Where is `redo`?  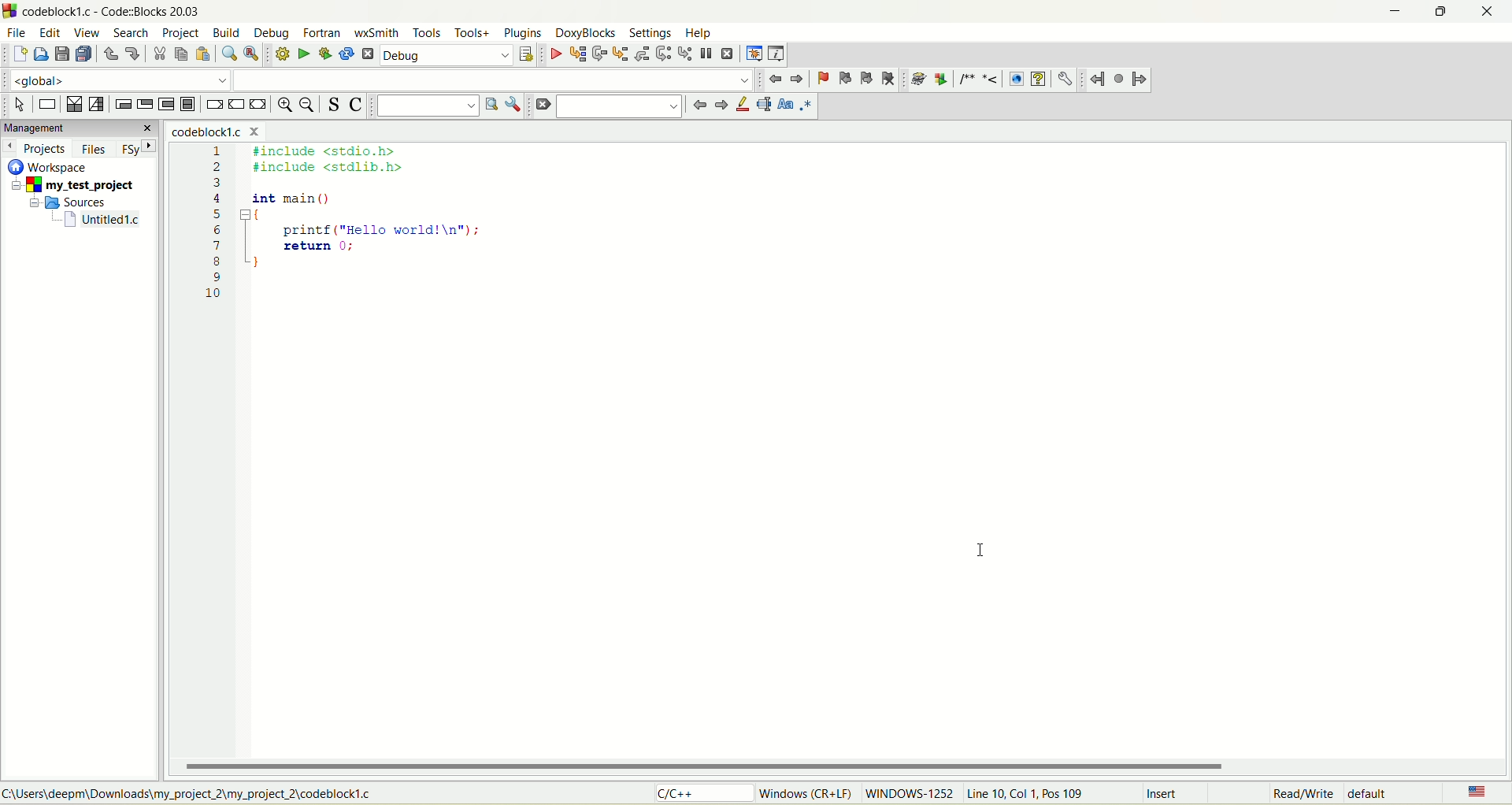
redo is located at coordinates (132, 52).